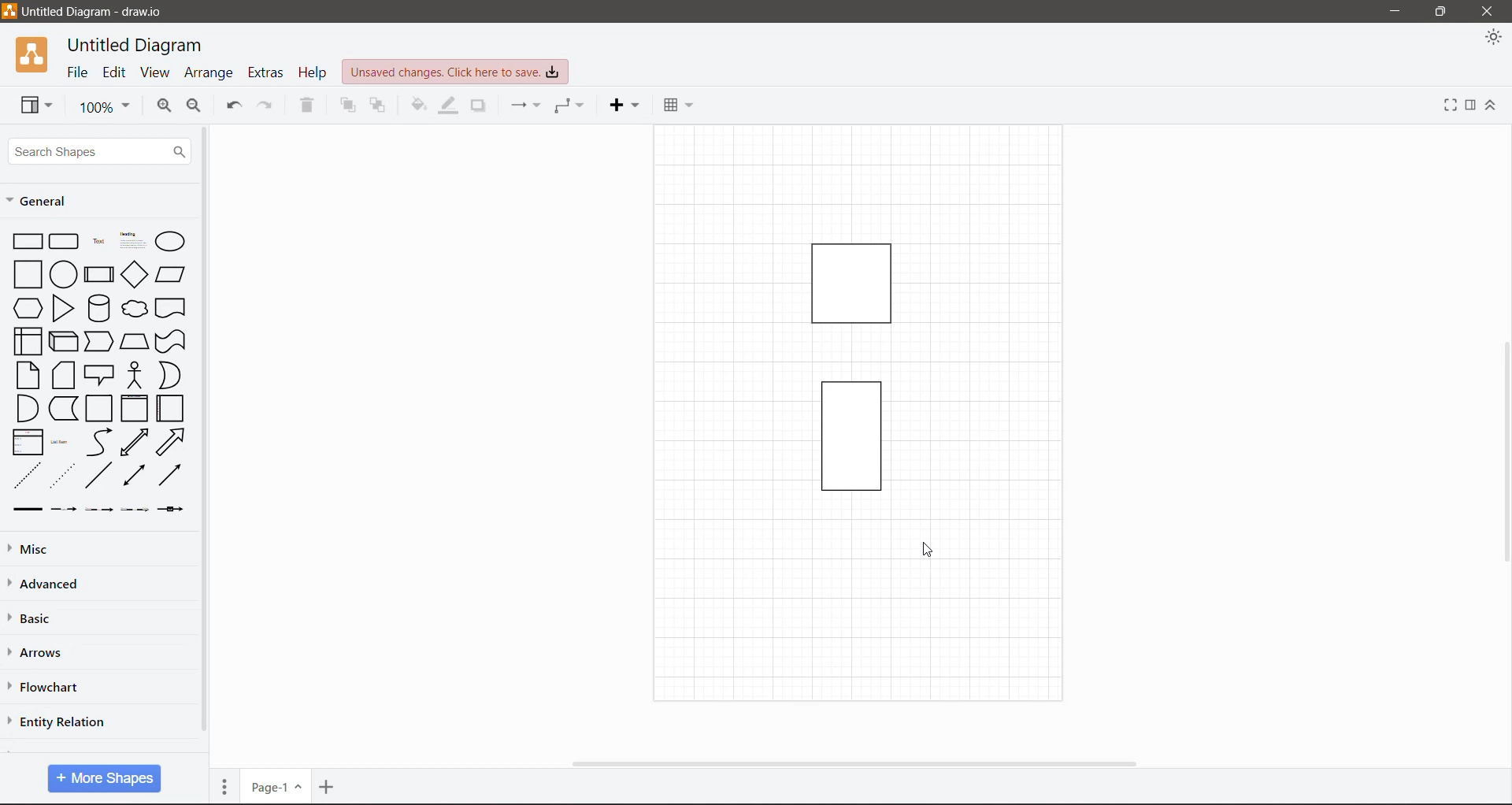 The width and height of the screenshot is (1512, 805). I want to click on Close, so click(1490, 12).